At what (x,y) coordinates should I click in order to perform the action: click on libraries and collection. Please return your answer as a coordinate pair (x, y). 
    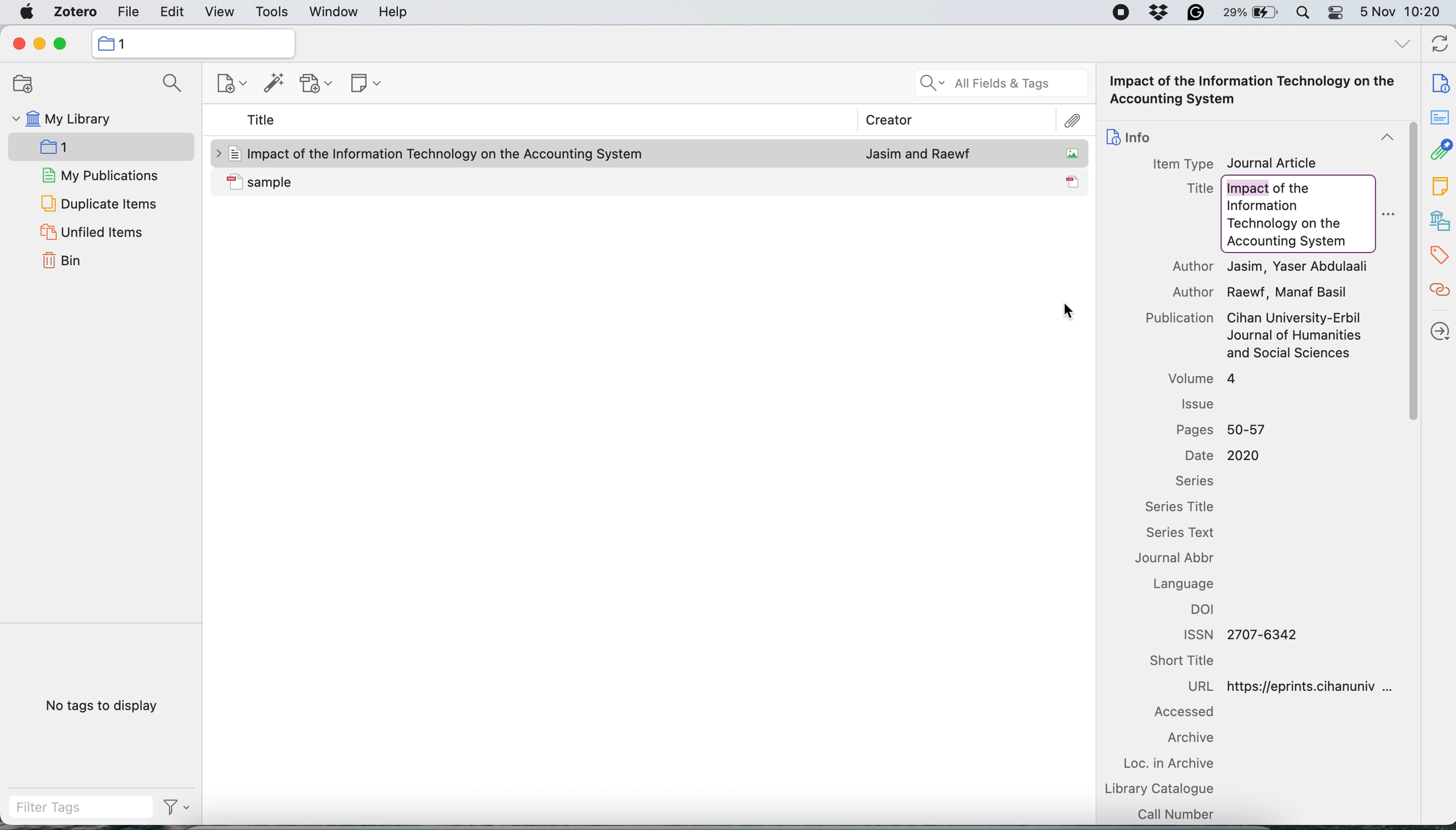
    Looking at the image, I should click on (1439, 220).